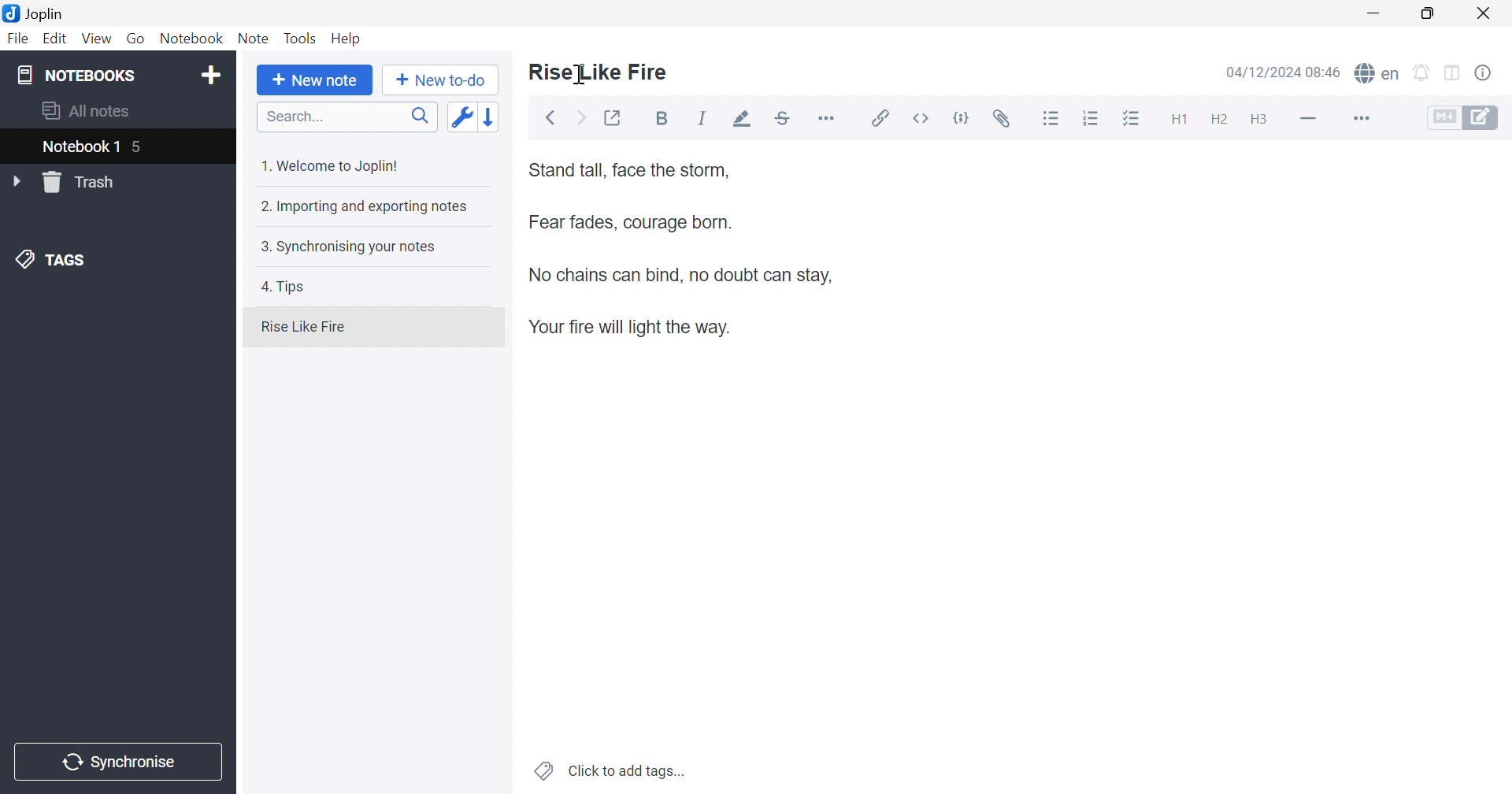 The width and height of the screenshot is (1512, 794). What do you see at coordinates (314, 80) in the screenshot?
I see `New note` at bounding box center [314, 80].